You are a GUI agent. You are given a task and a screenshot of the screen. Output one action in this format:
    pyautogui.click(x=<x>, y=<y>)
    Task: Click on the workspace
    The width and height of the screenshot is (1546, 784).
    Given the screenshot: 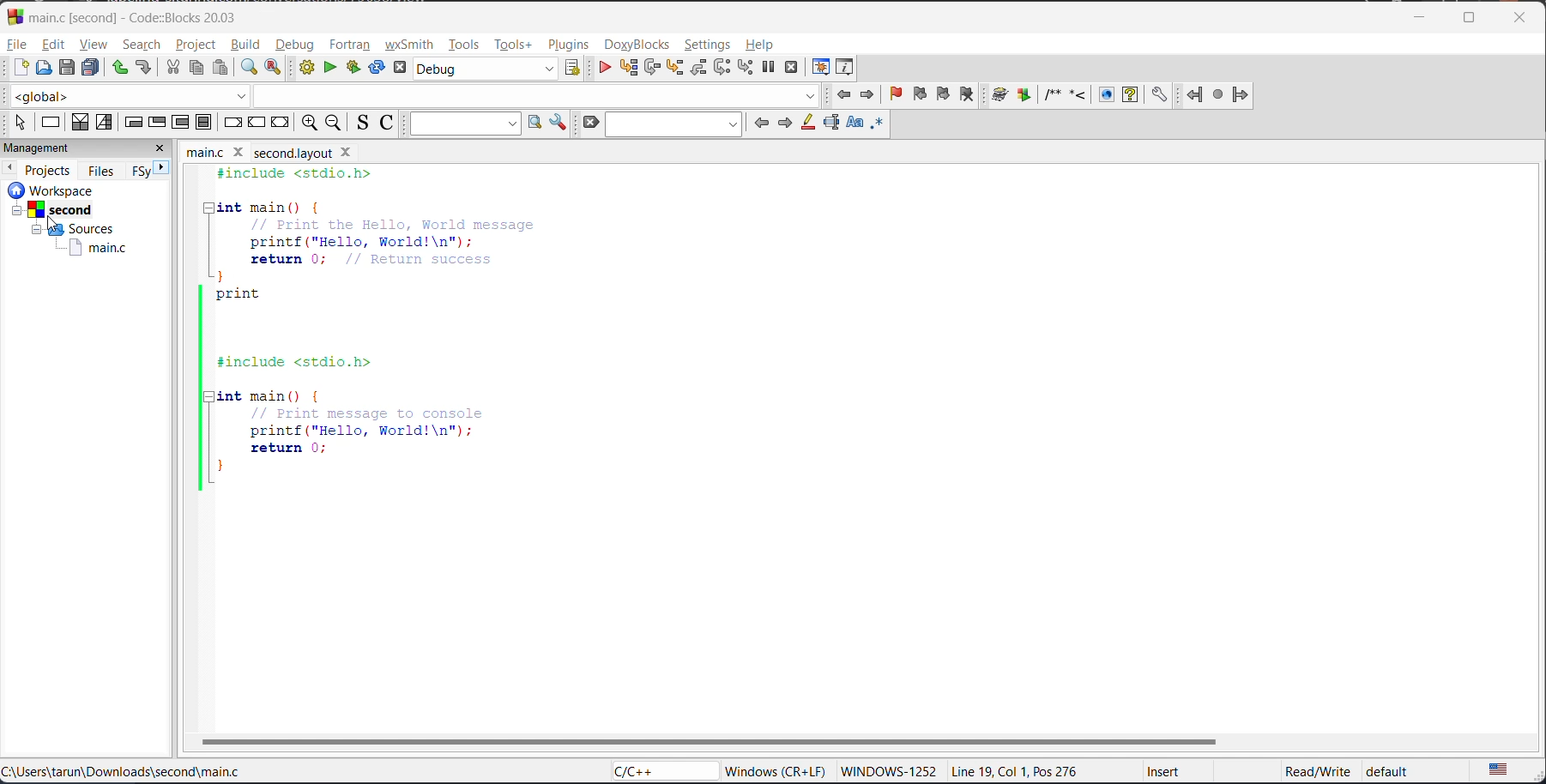 What is the action you would take?
    pyautogui.click(x=71, y=223)
    